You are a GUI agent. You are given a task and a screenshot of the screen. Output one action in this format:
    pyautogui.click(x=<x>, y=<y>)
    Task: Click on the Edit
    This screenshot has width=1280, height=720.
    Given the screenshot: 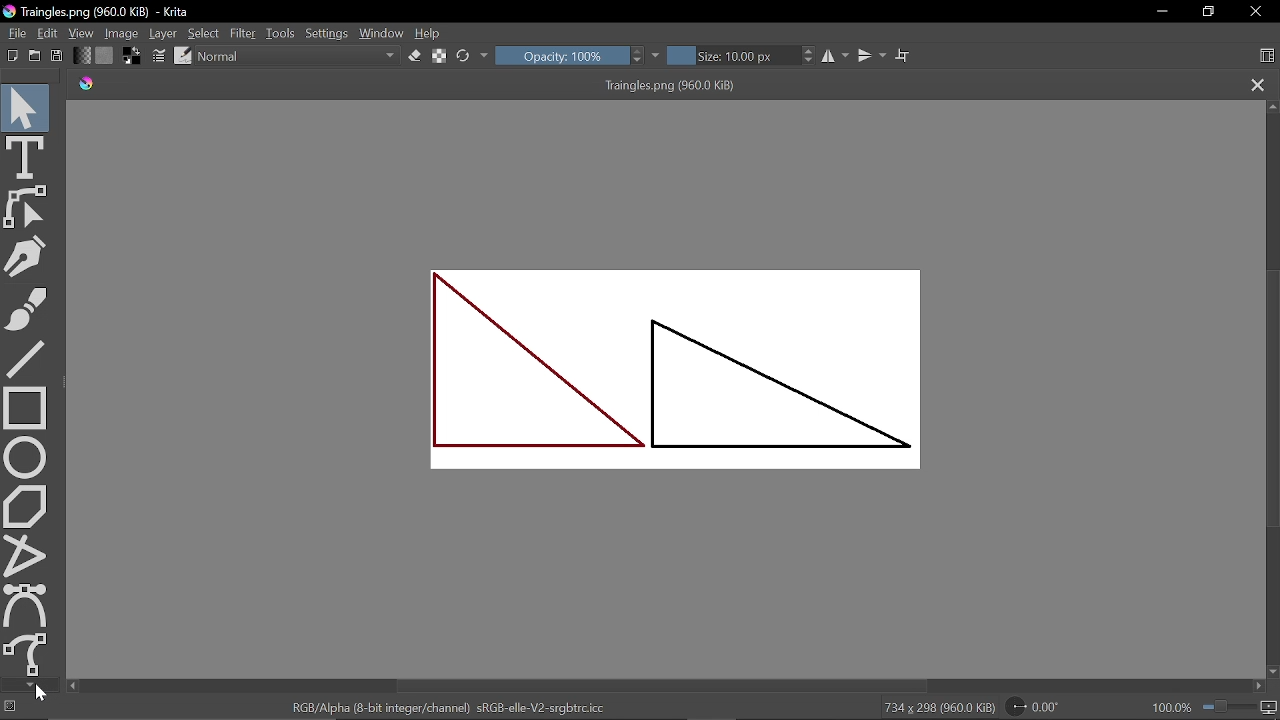 What is the action you would take?
    pyautogui.click(x=49, y=34)
    